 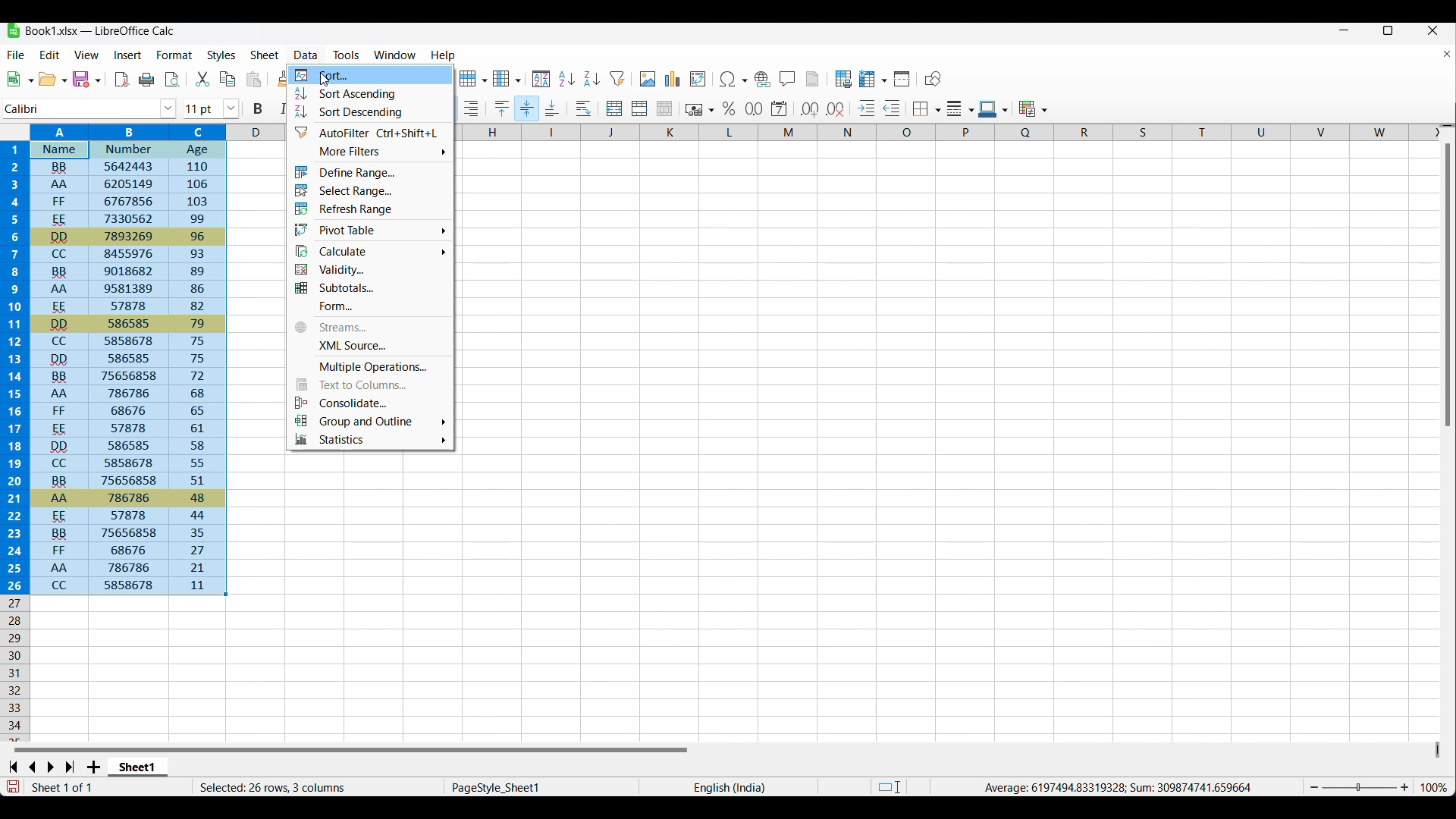 I want to click on Define print area, so click(x=844, y=79).